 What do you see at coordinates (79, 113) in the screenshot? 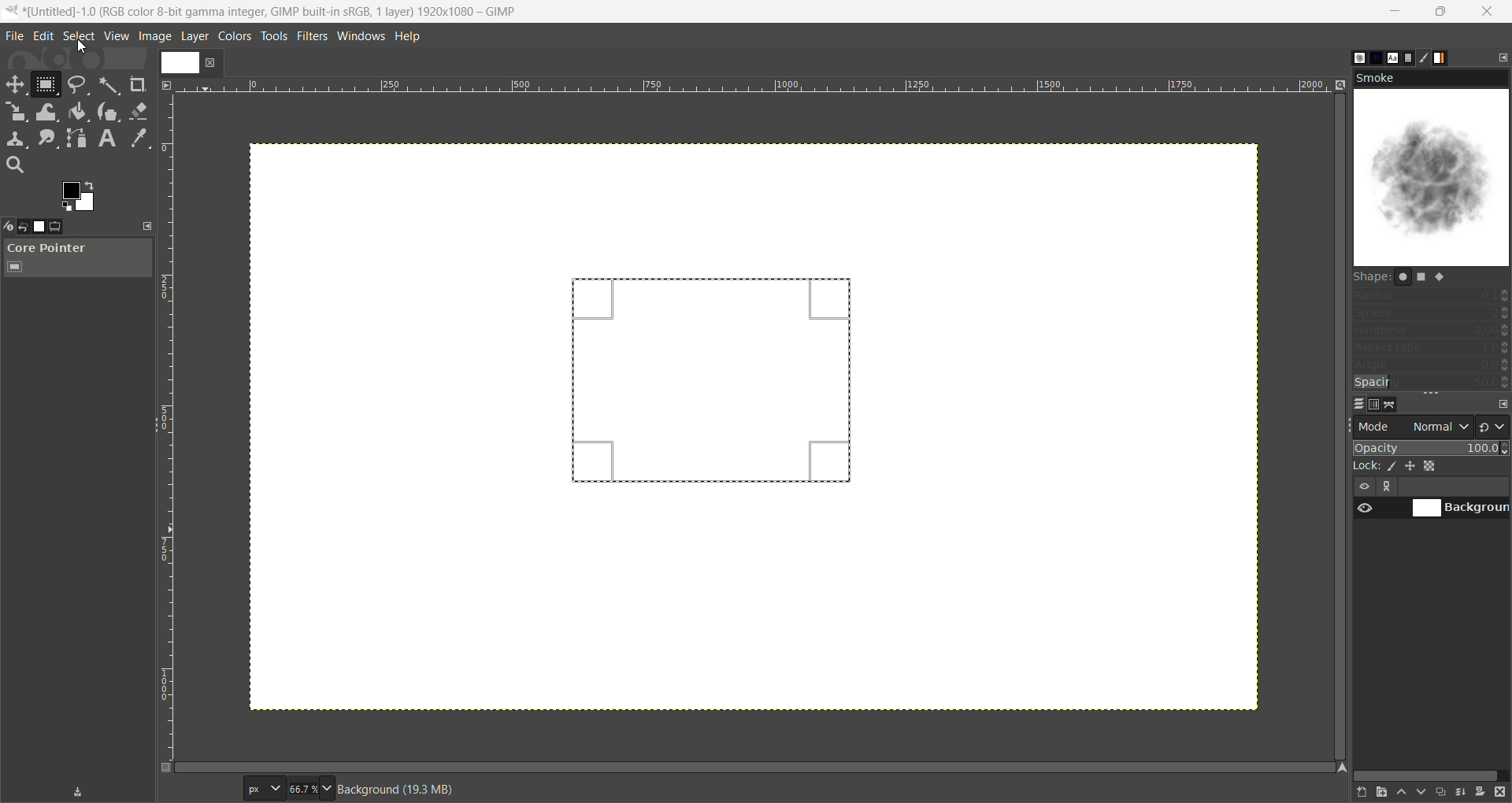
I see `bucket fill tool` at bounding box center [79, 113].